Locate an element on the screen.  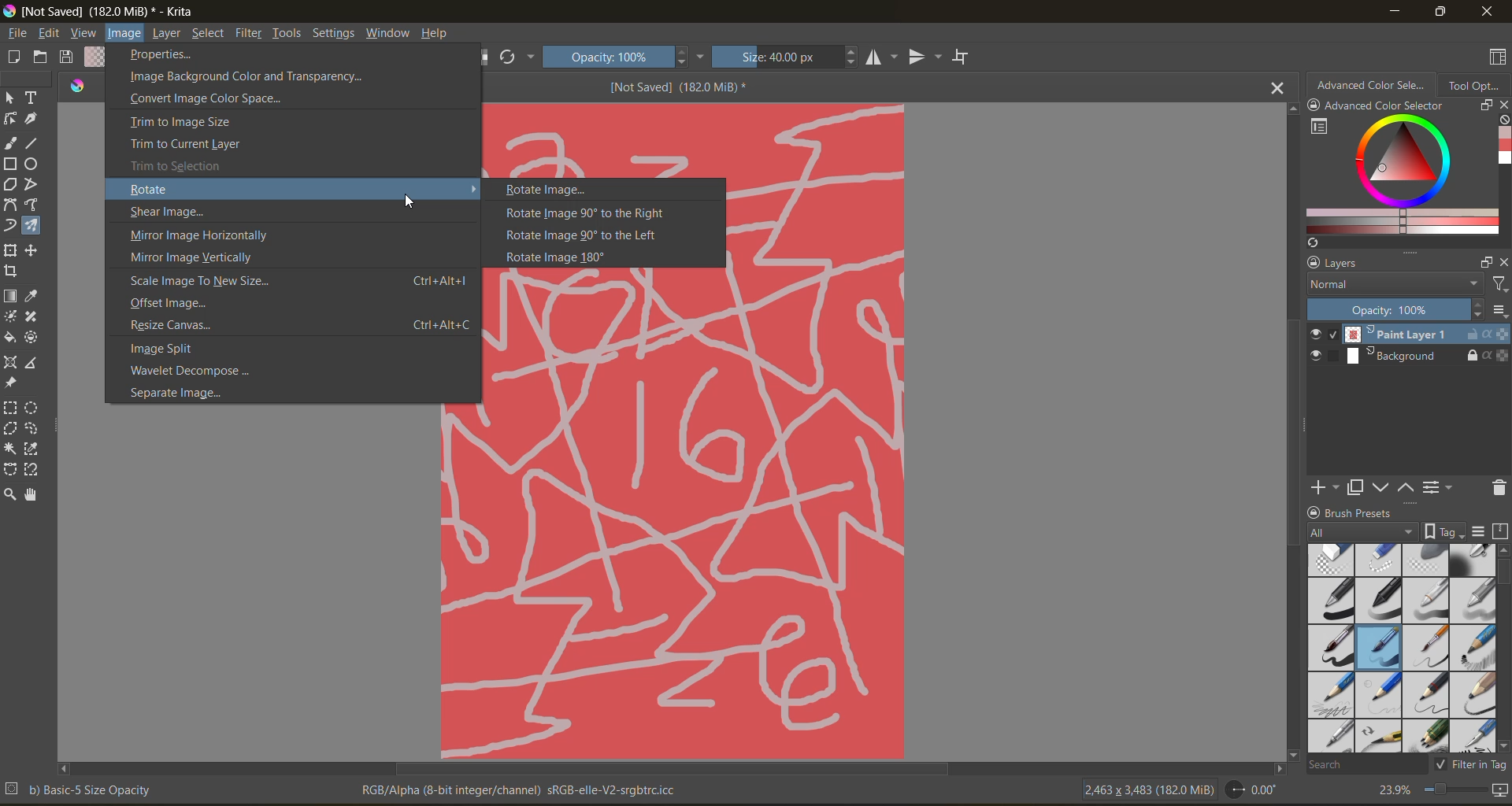
filter in tag is located at coordinates (1468, 766).